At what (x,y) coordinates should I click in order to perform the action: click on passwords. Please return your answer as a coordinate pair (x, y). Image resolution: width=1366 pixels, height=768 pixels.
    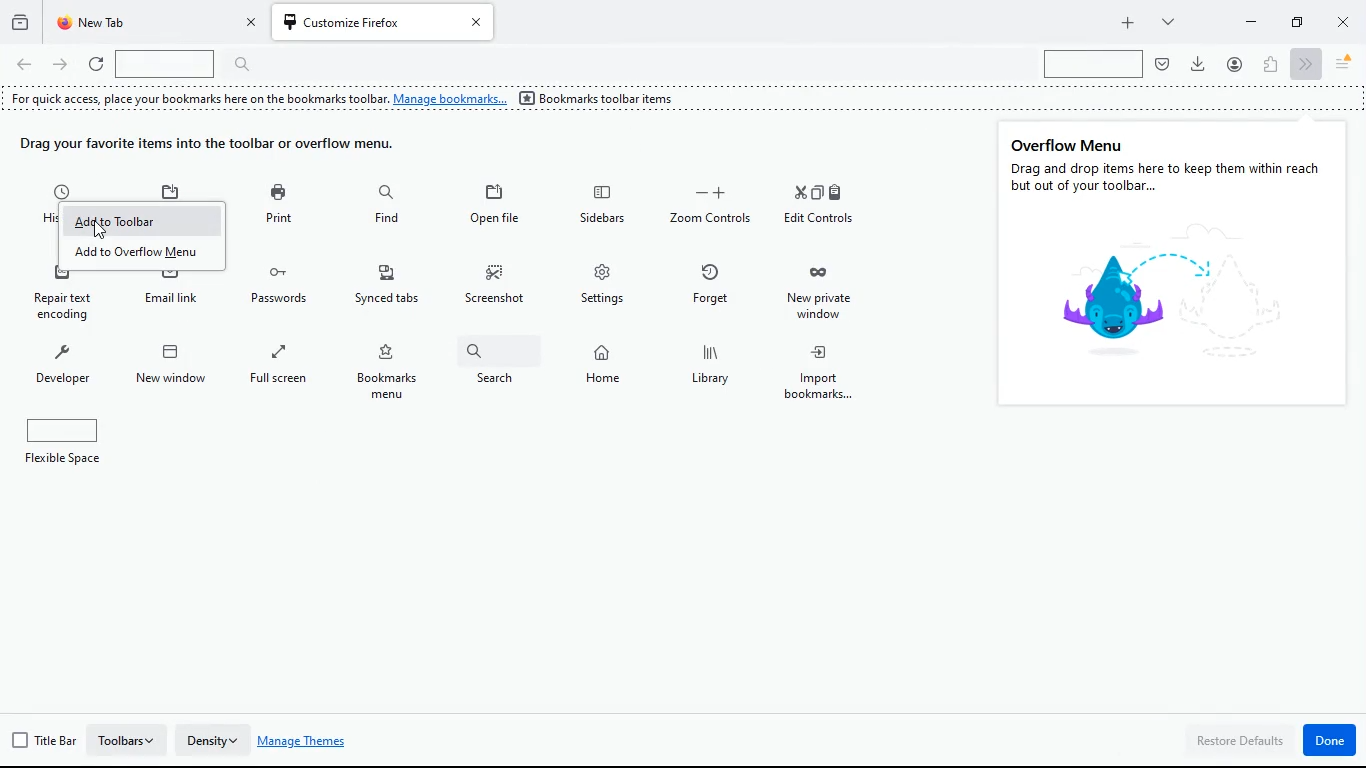
    Looking at the image, I should click on (283, 287).